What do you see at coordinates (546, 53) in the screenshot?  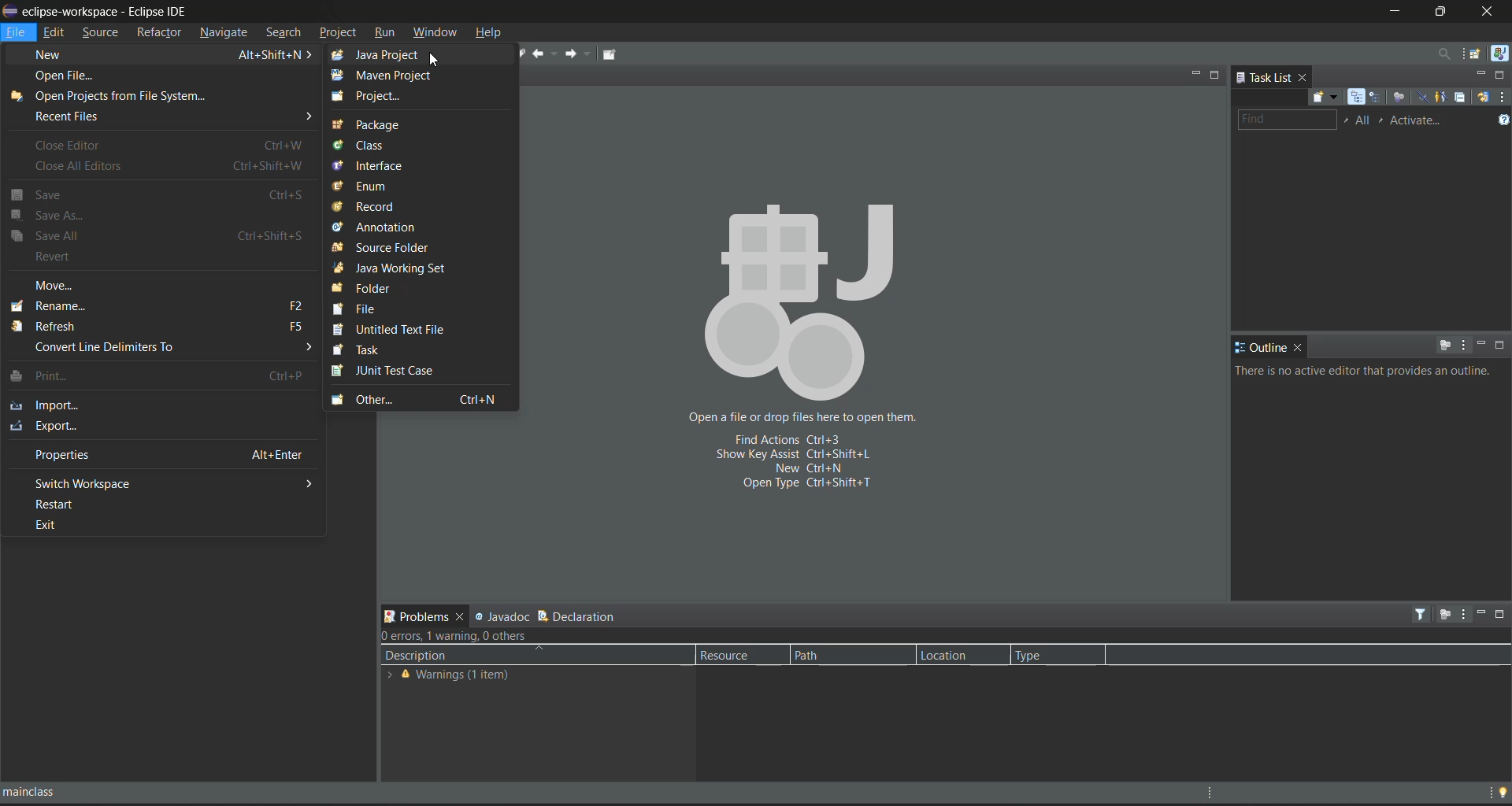 I see `back` at bounding box center [546, 53].